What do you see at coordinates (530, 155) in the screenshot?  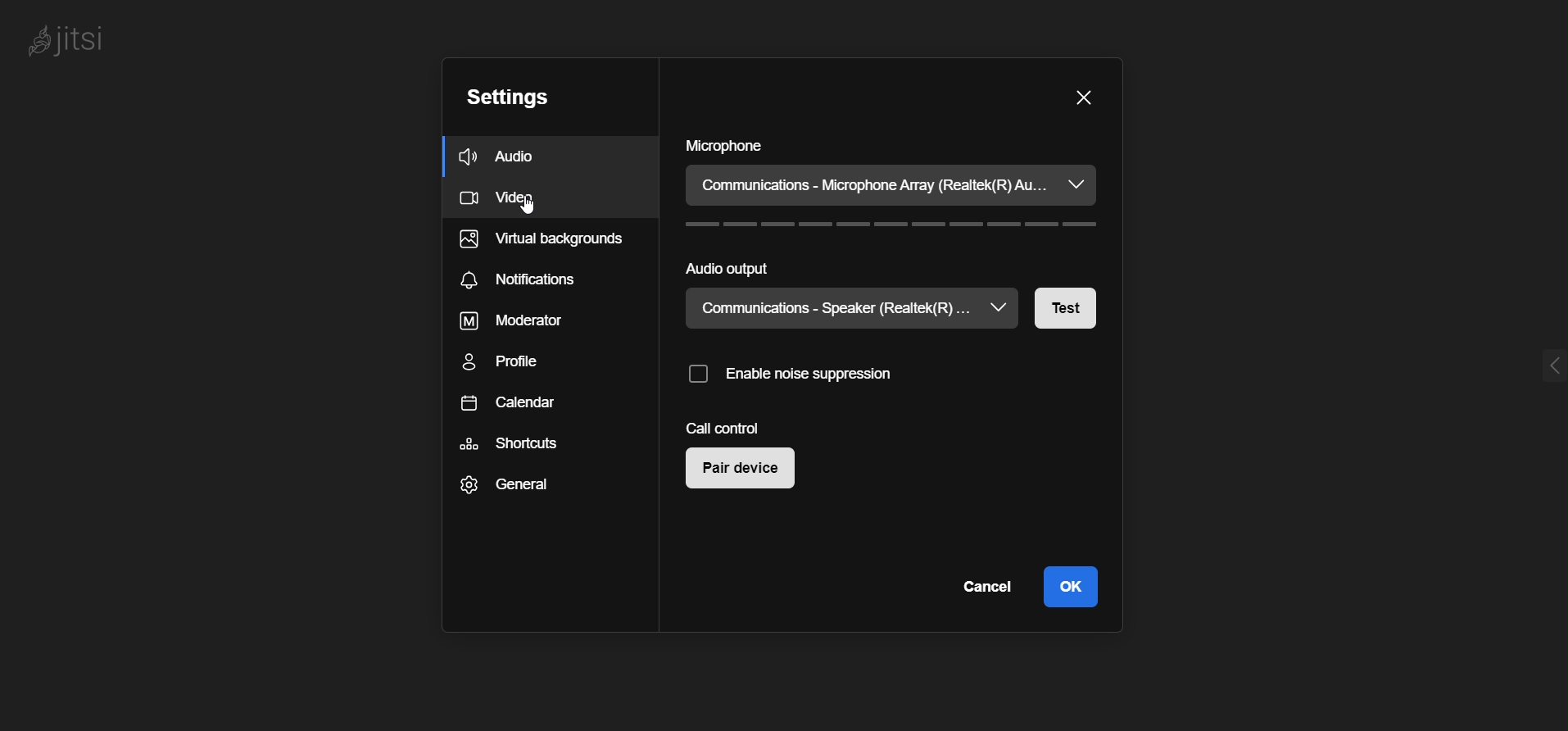 I see `audio` at bounding box center [530, 155].